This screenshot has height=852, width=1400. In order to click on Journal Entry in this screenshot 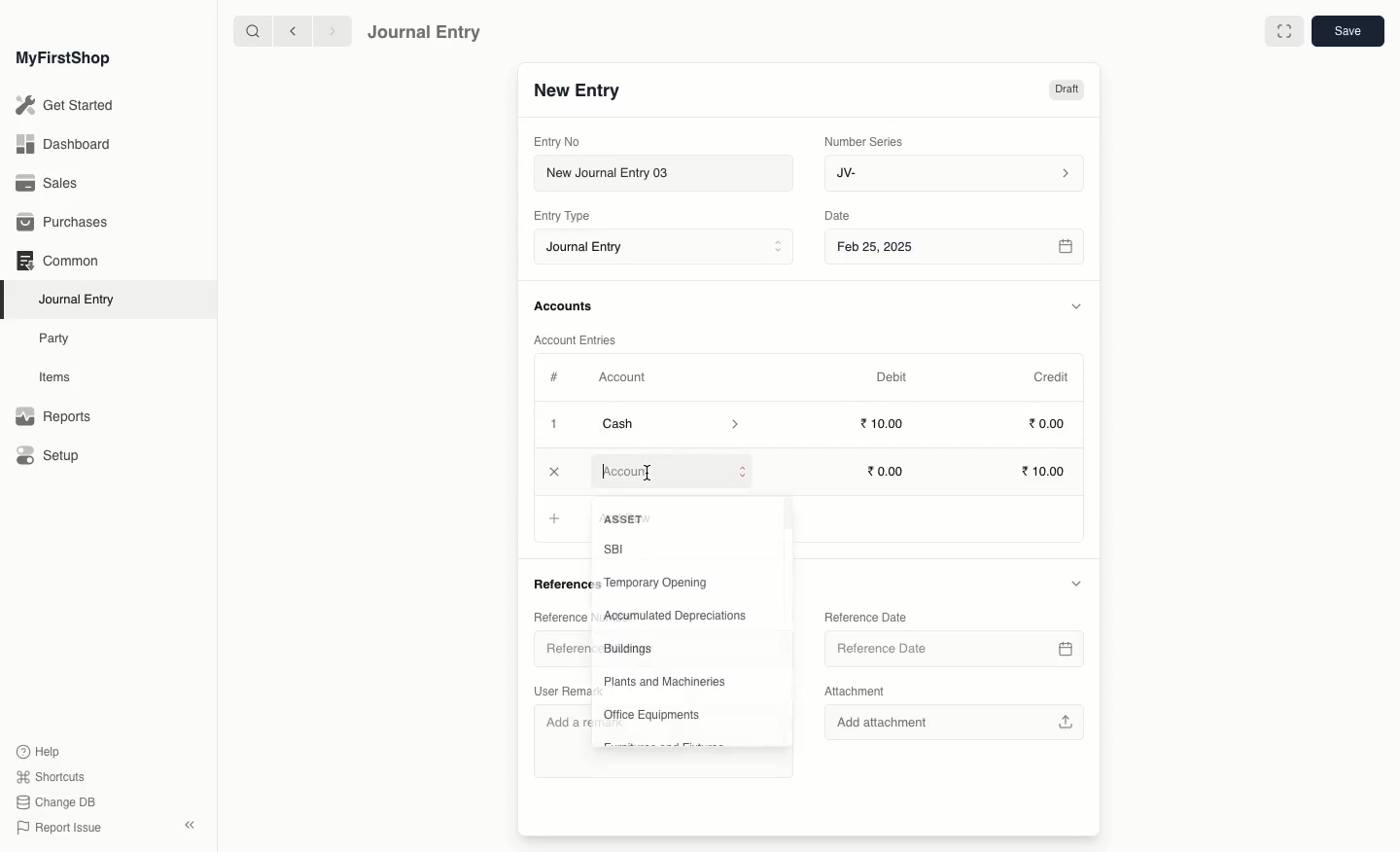, I will do `click(425, 31)`.